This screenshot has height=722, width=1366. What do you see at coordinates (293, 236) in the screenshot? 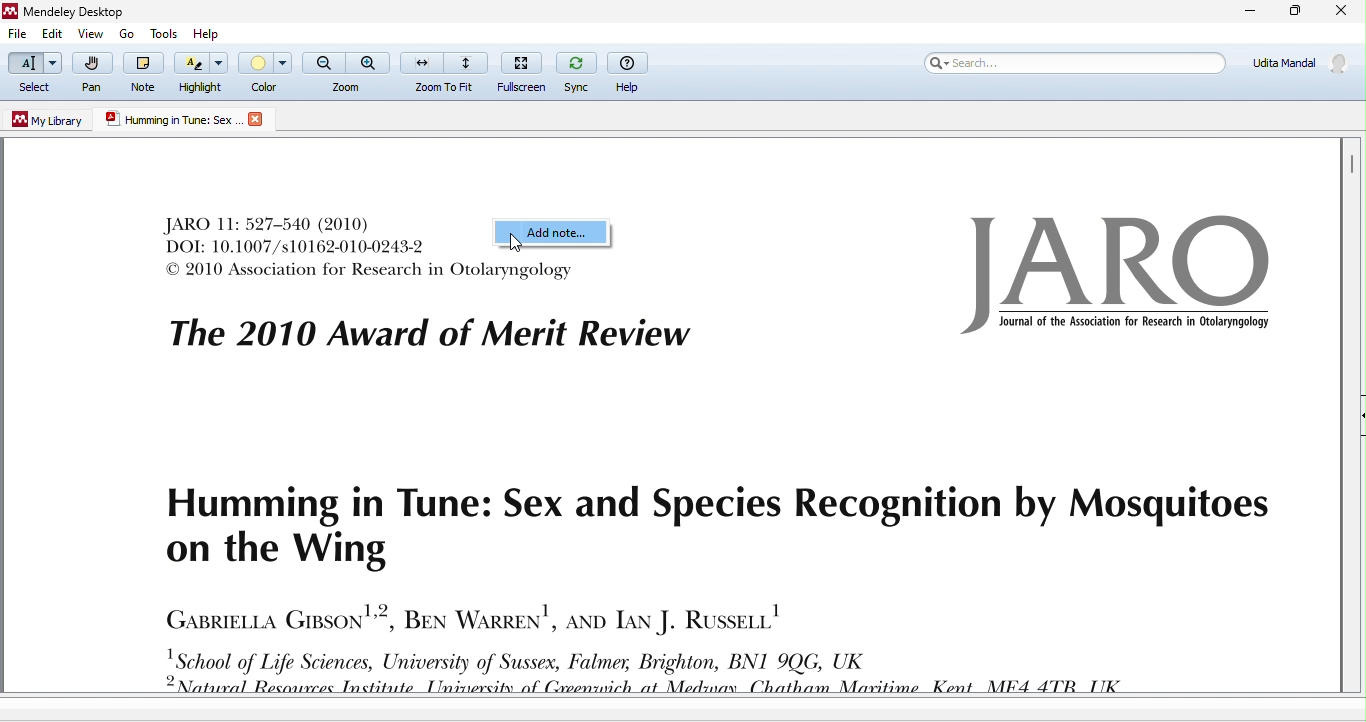
I see `journal text` at bounding box center [293, 236].